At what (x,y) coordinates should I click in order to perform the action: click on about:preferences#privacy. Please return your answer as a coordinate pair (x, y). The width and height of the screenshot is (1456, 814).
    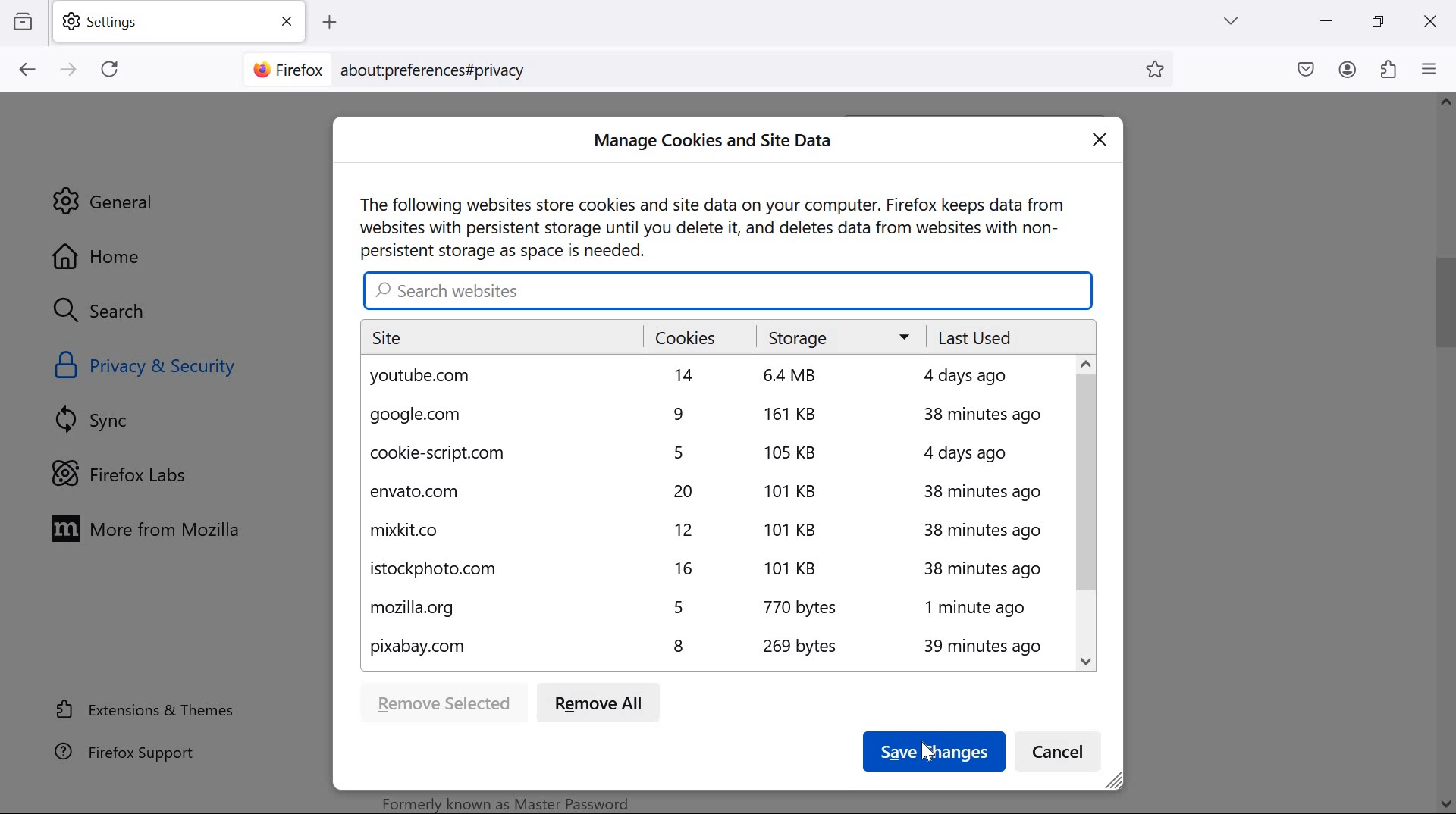
    Looking at the image, I should click on (443, 69).